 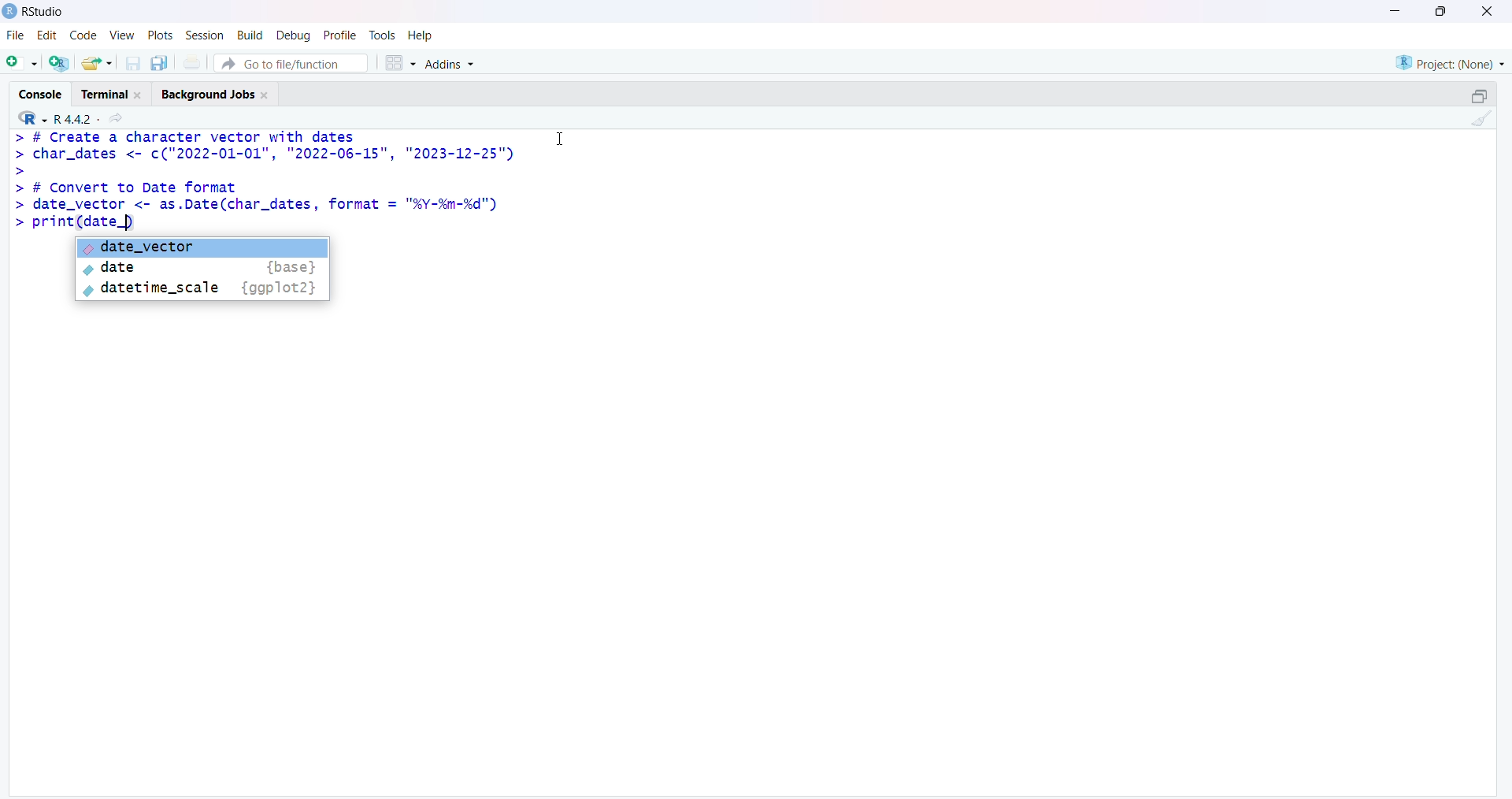 What do you see at coordinates (121, 37) in the screenshot?
I see `View` at bounding box center [121, 37].